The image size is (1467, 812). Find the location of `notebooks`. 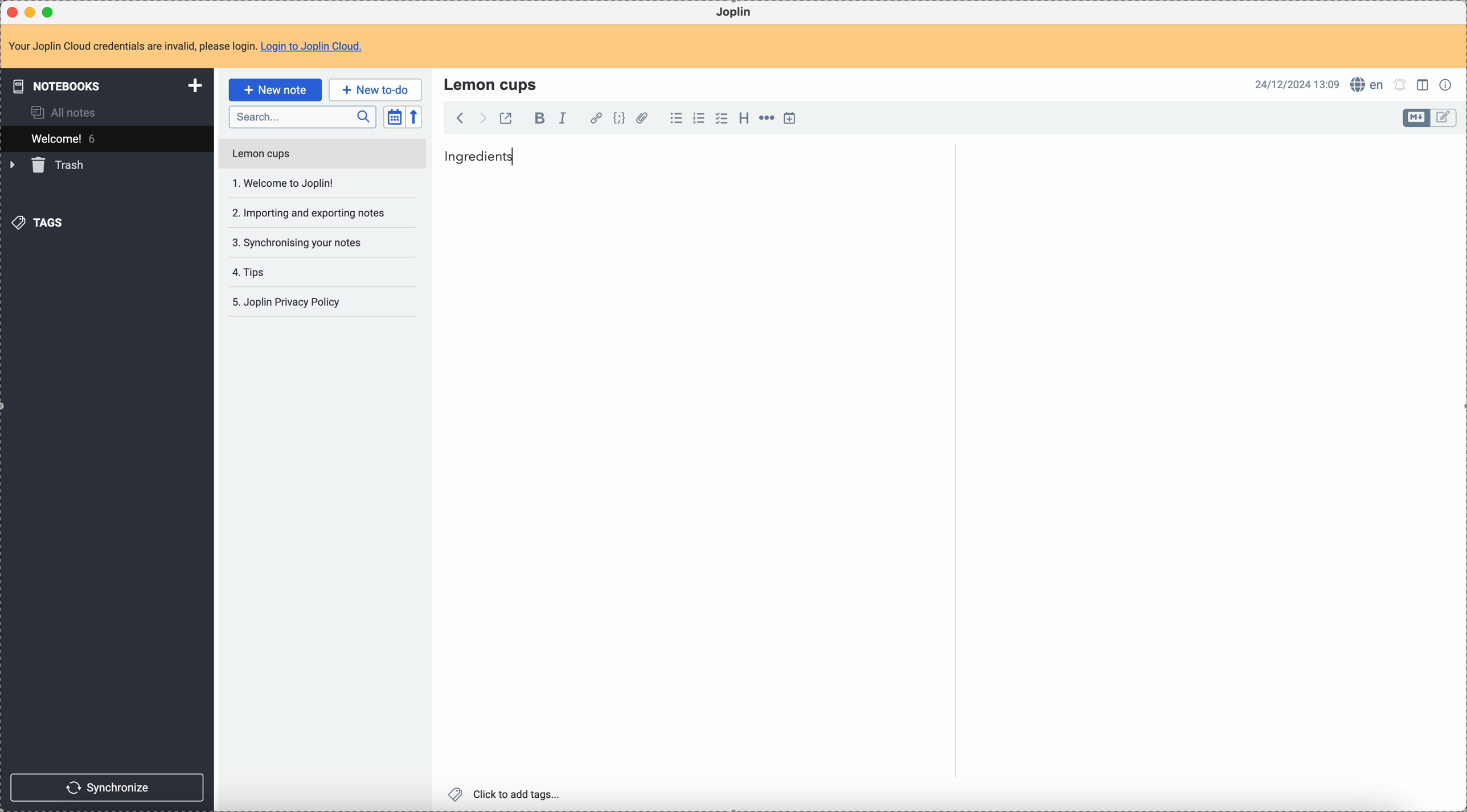

notebooks is located at coordinates (109, 85).